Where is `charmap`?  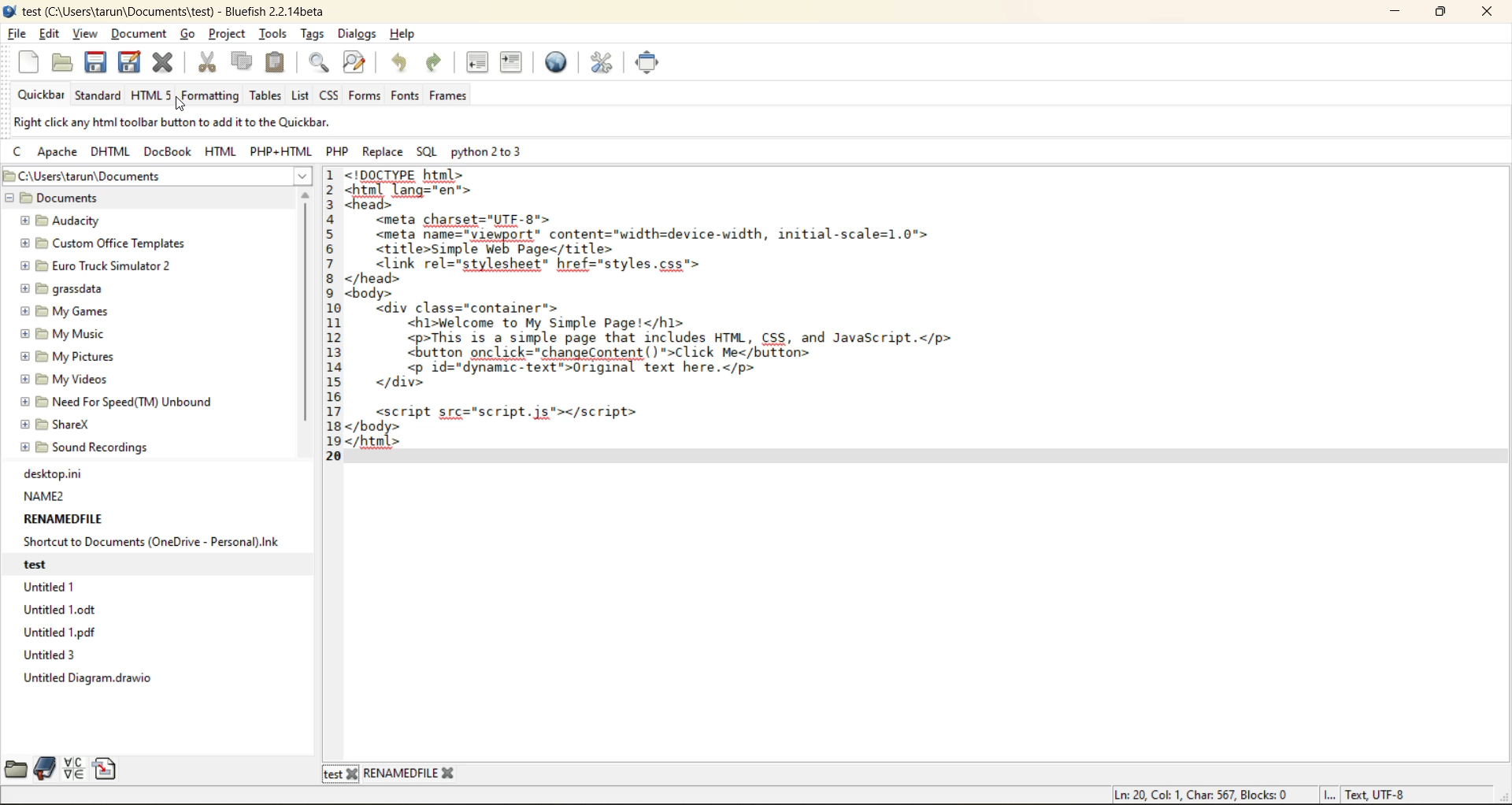 charmap is located at coordinates (73, 768).